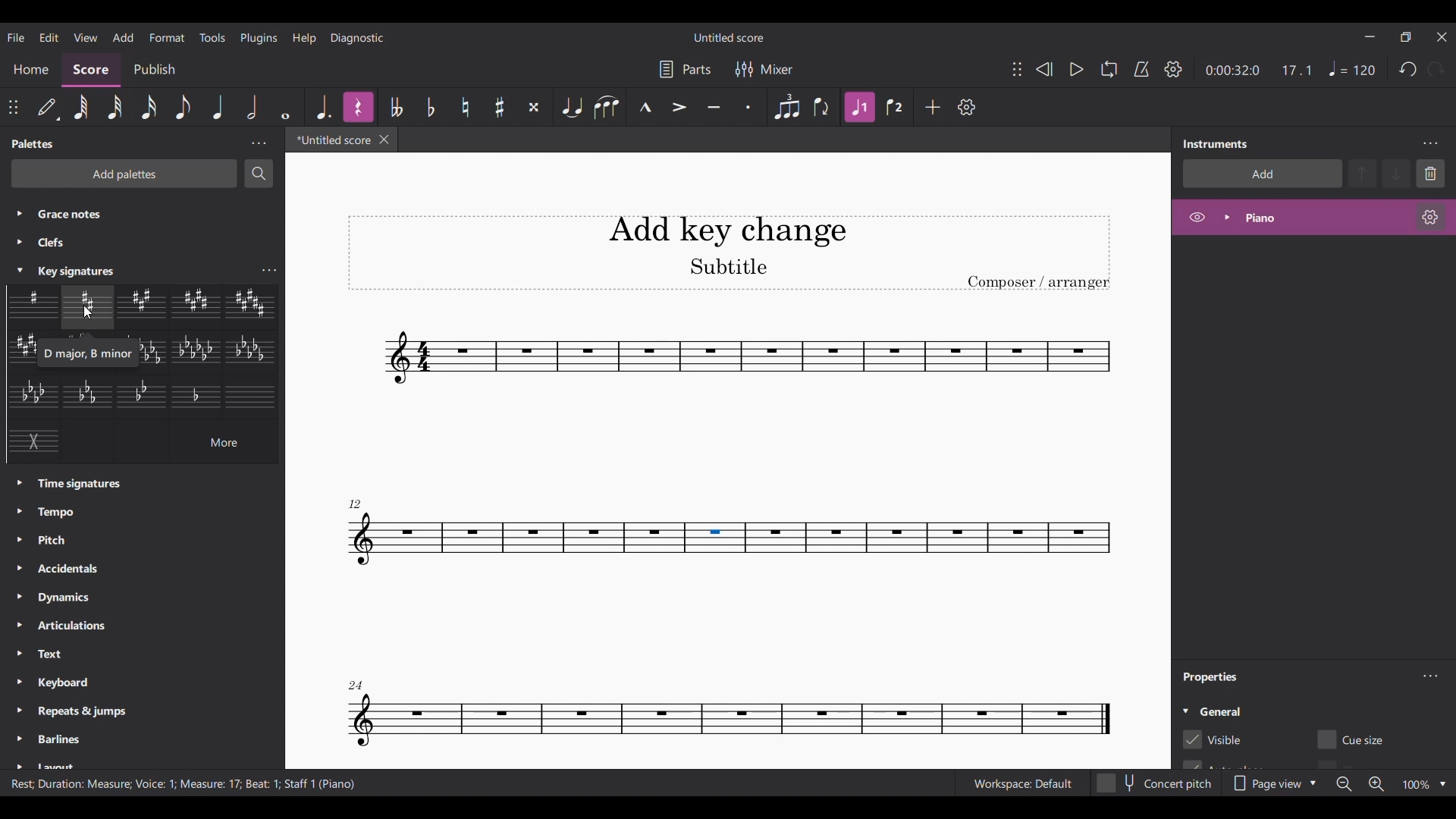 The image size is (1456, 819). What do you see at coordinates (1260, 70) in the screenshot?
I see `Music score duration` at bounding box center [1260, 70].